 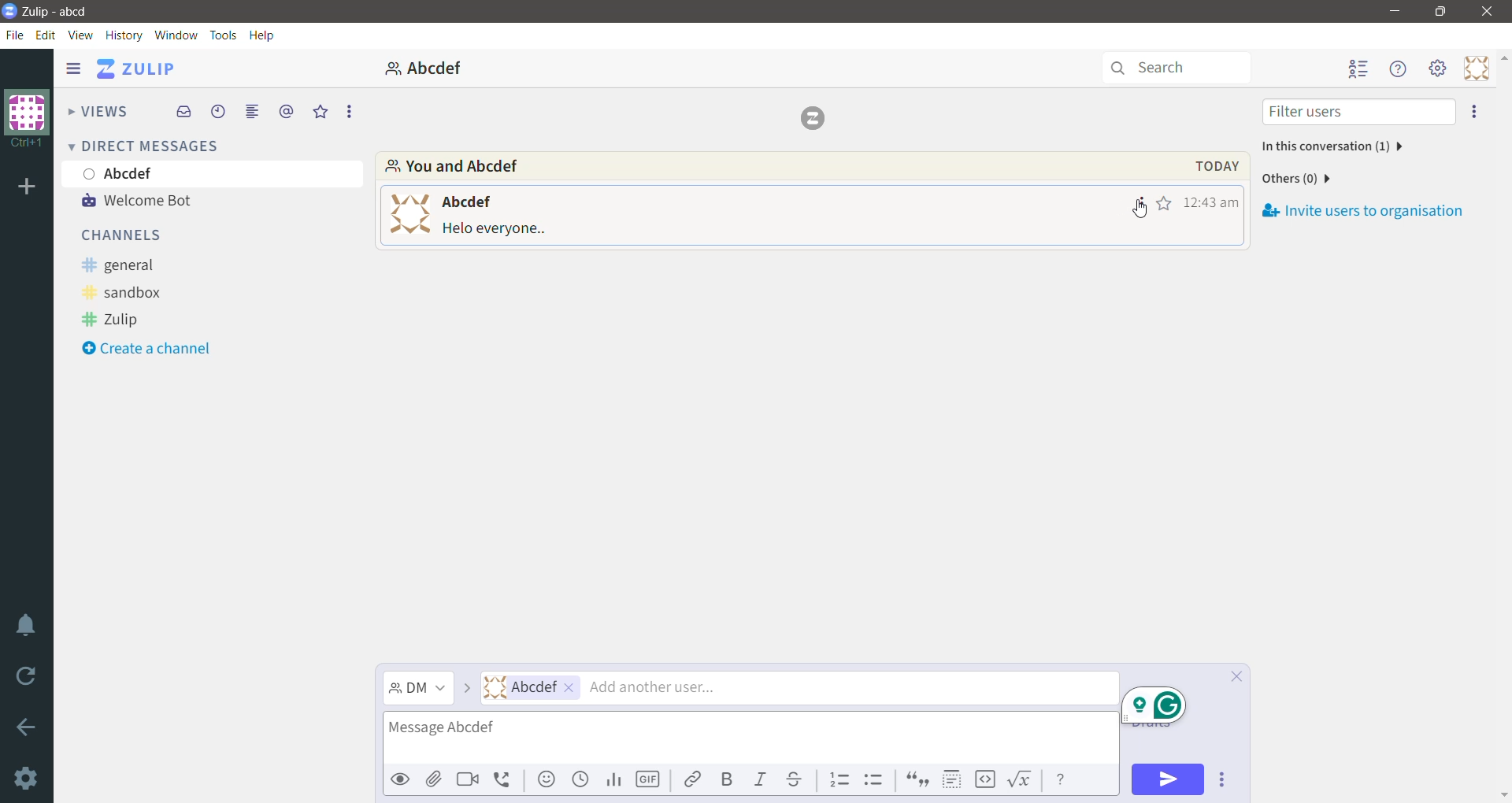 What do you see at coordinates (28, 120) in the screenshot?
I see `Organization Name` at bounding box center [28, 120].